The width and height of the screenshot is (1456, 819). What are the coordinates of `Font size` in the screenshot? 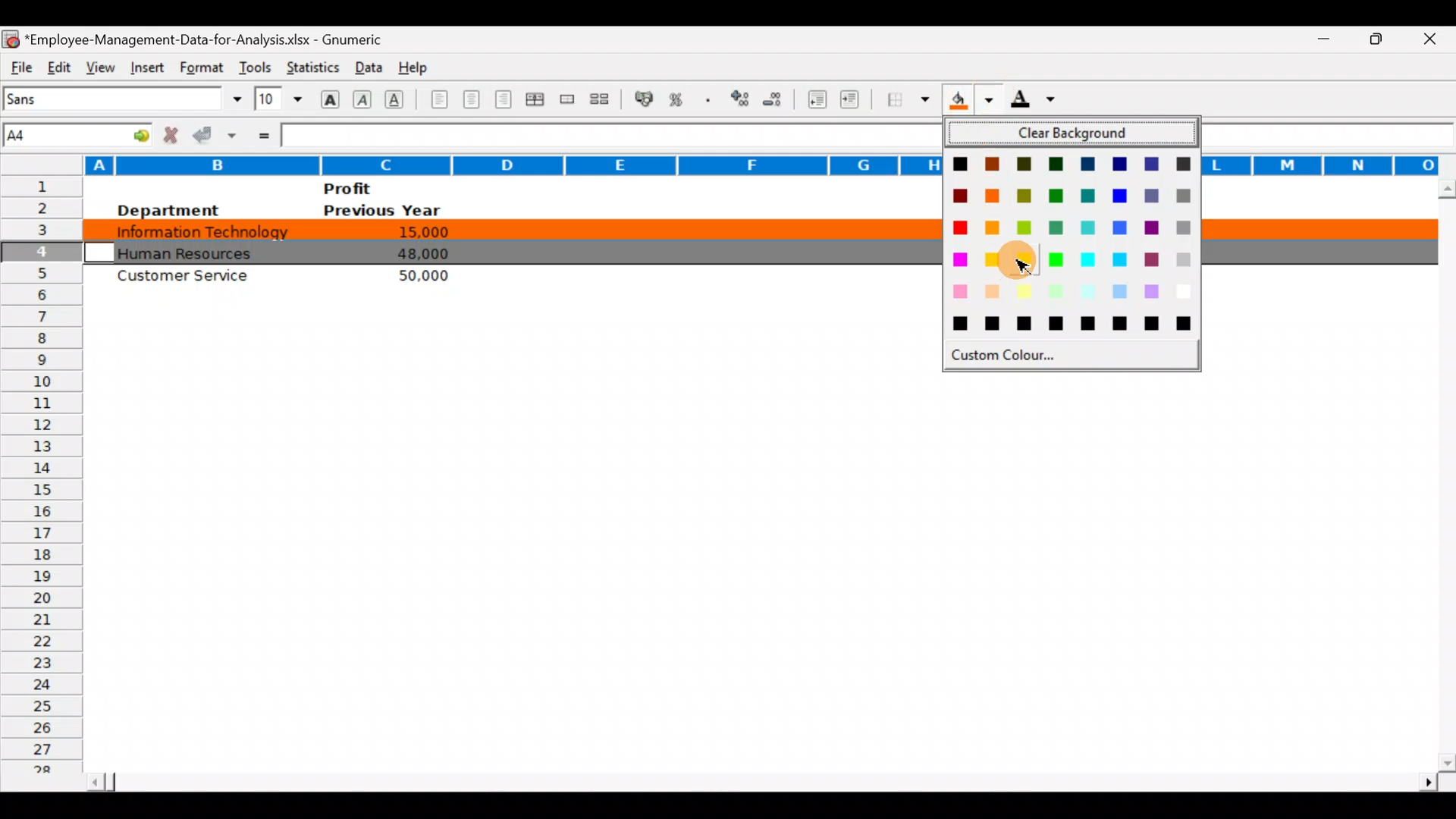 It's located at (278, 99).